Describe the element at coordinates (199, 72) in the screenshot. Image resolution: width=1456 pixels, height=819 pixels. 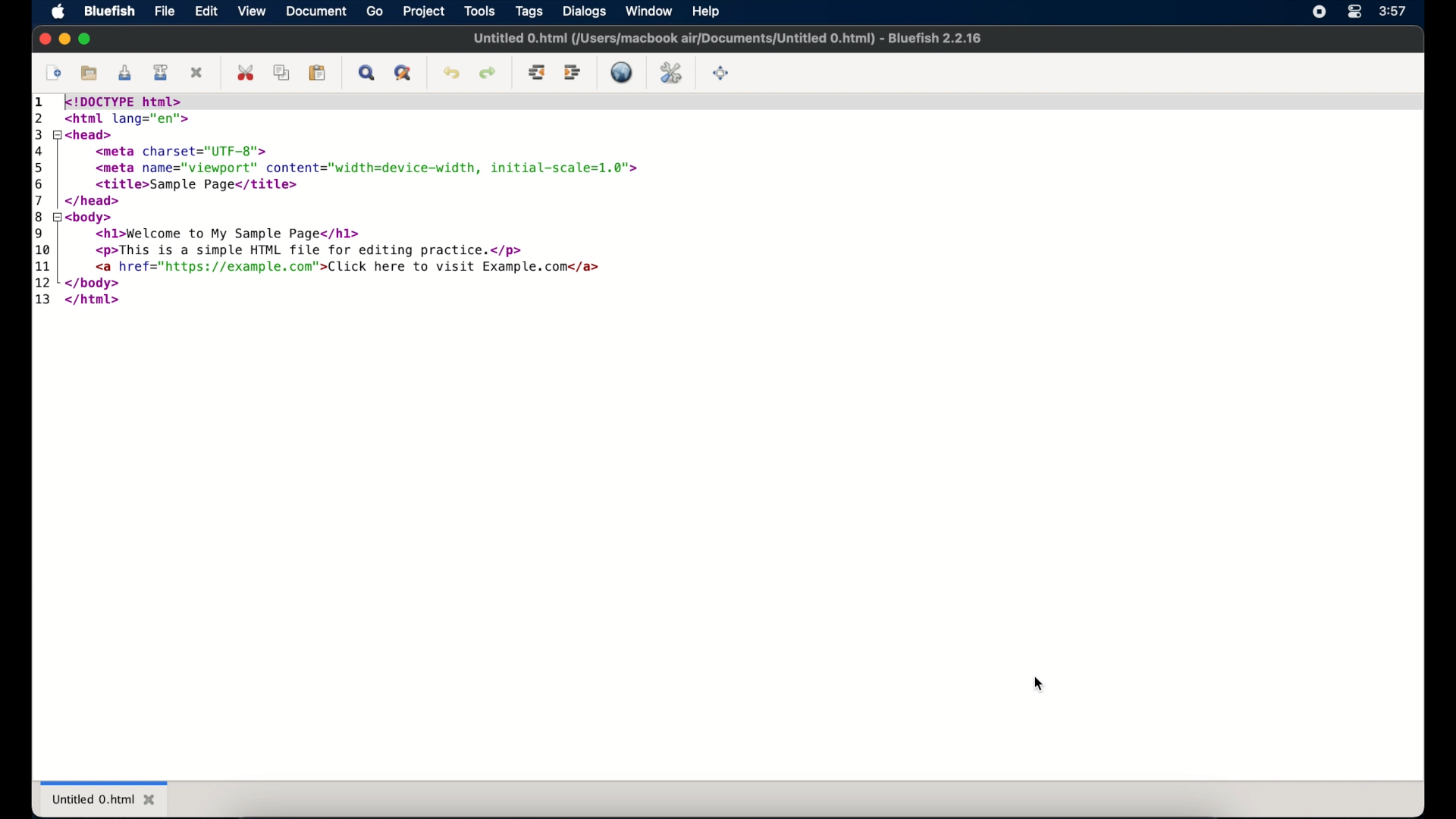
I see `close` at that location.